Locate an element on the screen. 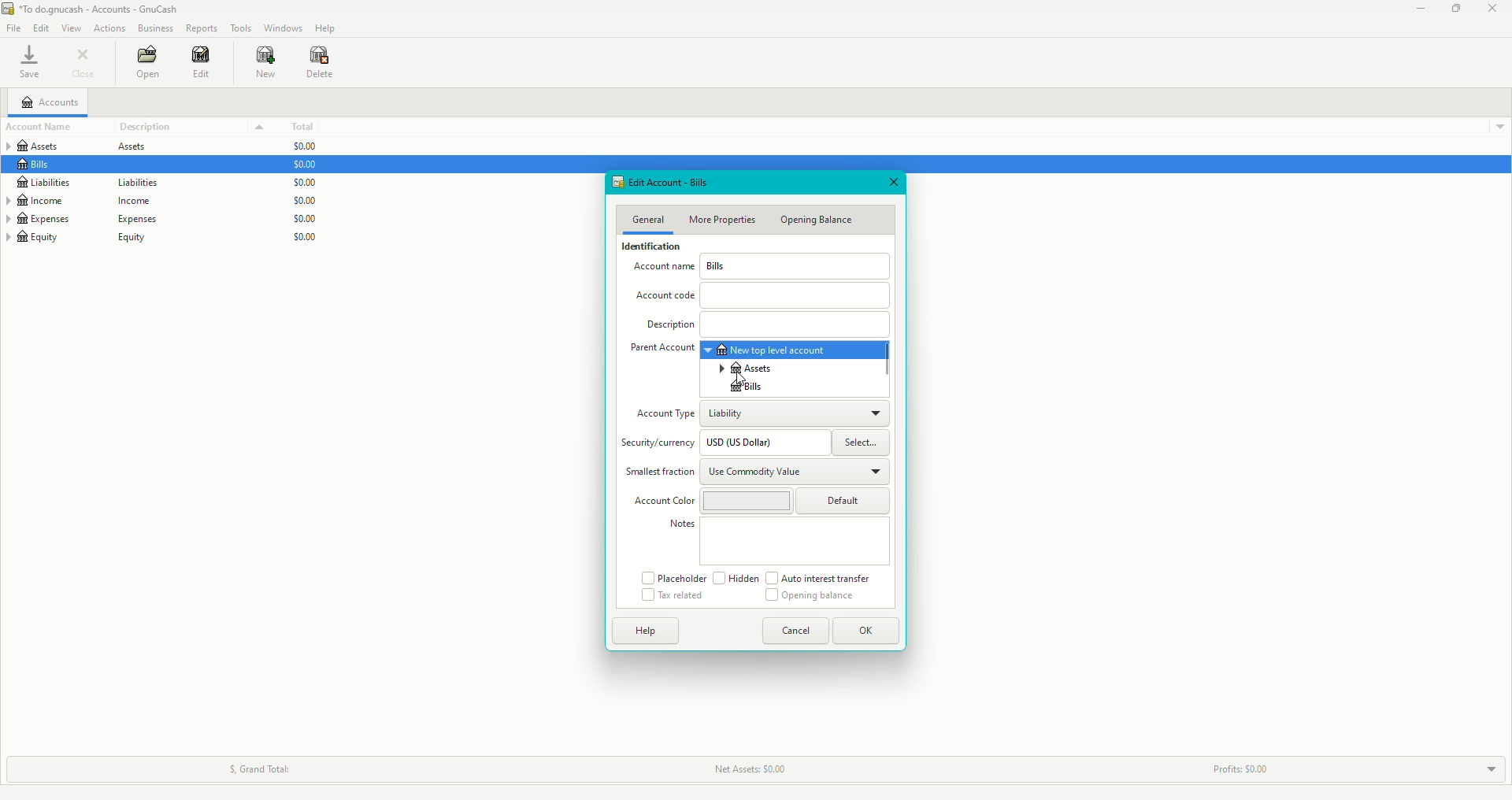 The image size is (1512, 800). Edit Account is located at coordinates (665, 183).